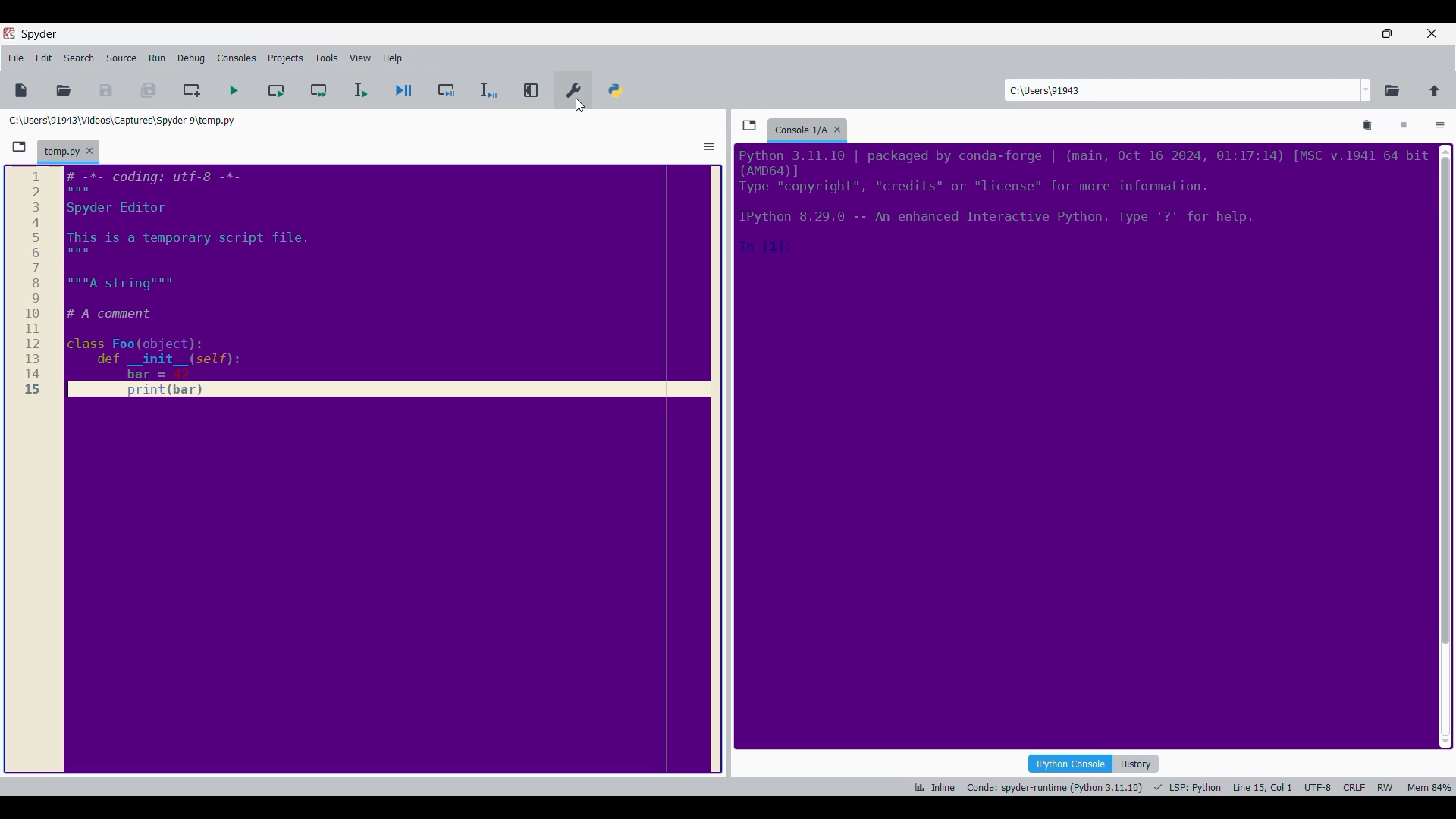 The height and width of the screenshot is (819, 1456). What do you see at coordinates (1367, 90) in the screenshot?
I see `Location options` at bounding box center [1367, 90].